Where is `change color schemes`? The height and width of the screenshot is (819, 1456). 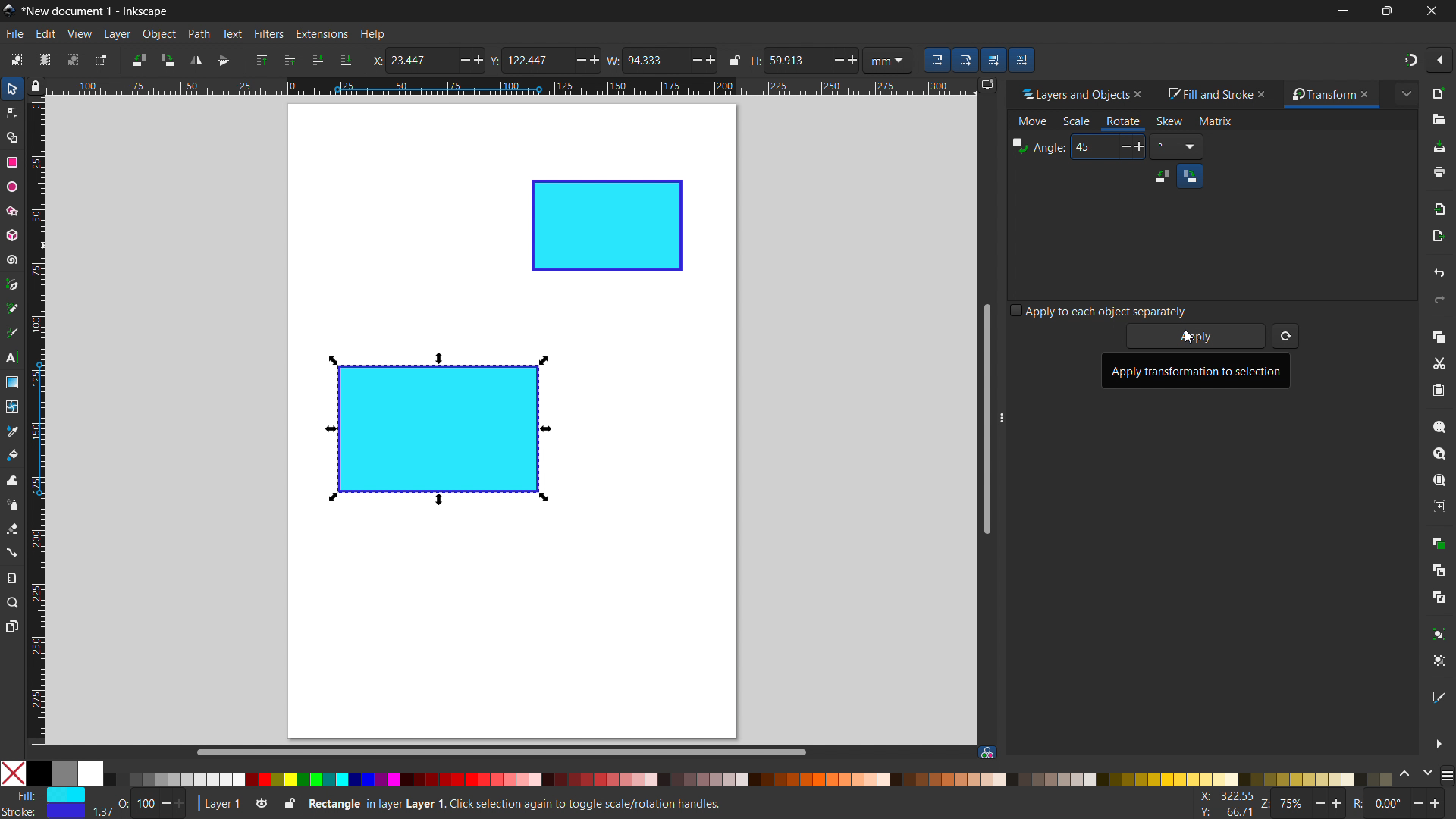
change color schemes is located at coordinates (1415, 774).